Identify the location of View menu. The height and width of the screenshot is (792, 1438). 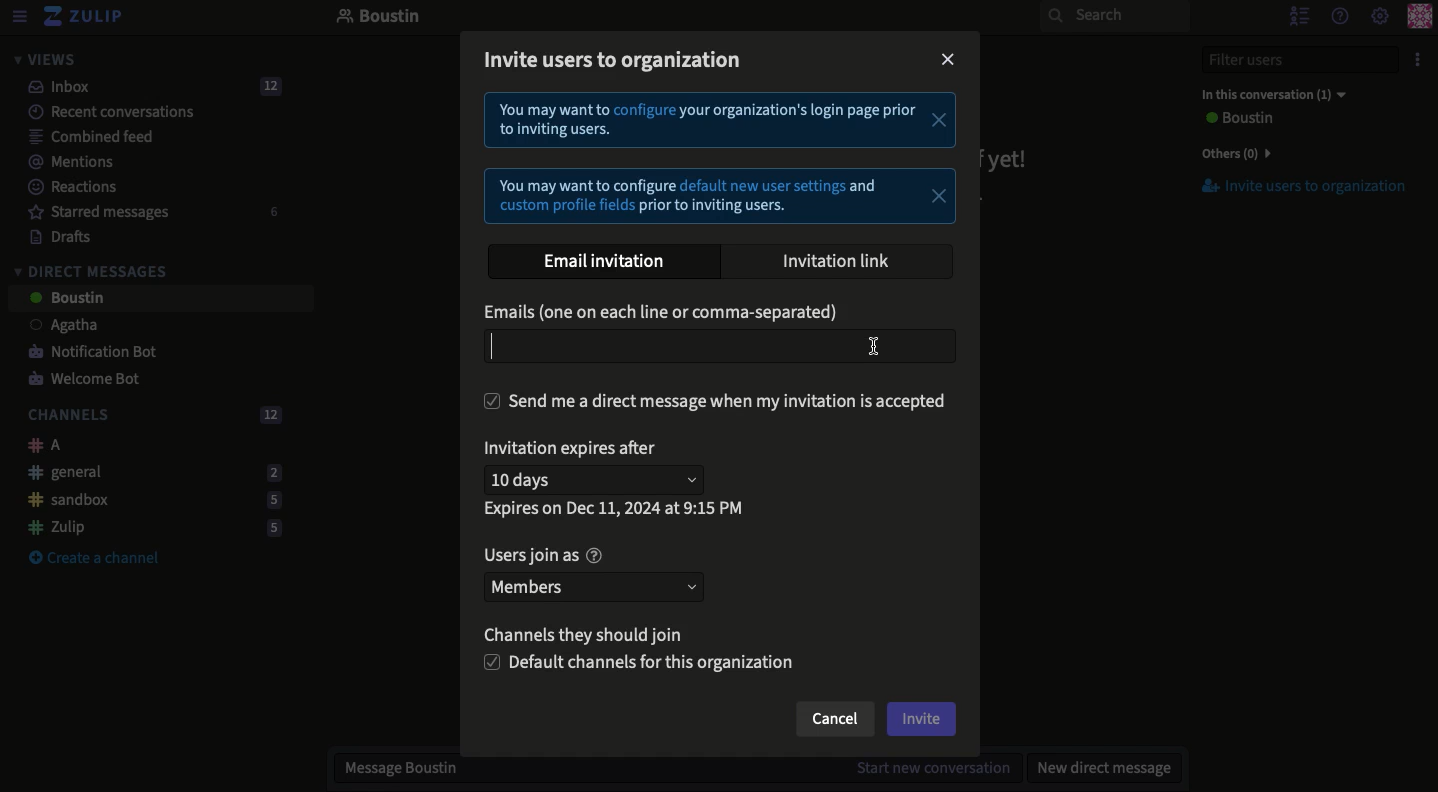
(18, 17).